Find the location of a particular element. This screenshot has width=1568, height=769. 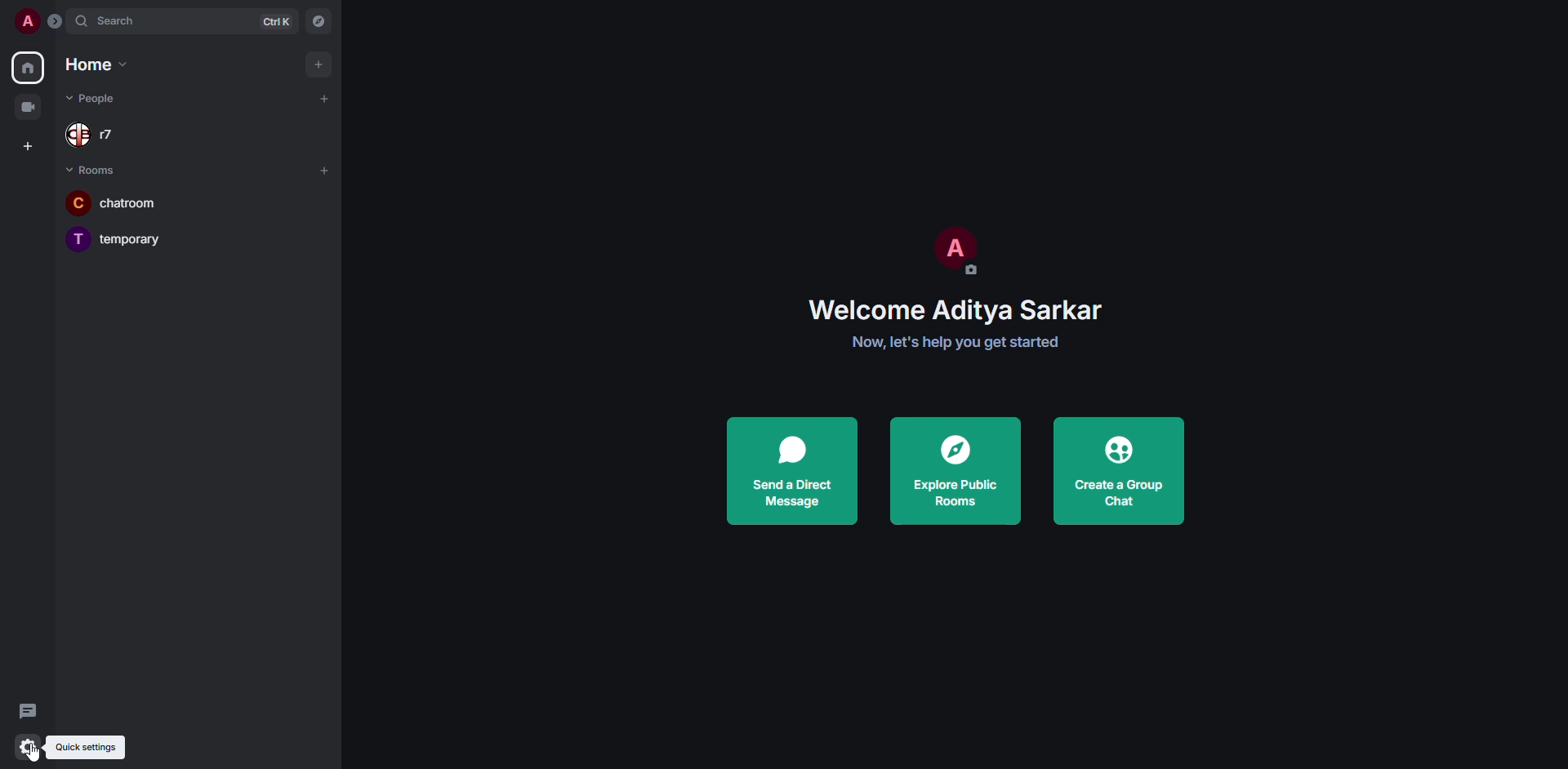

expand is located at coordinates (56, 23).